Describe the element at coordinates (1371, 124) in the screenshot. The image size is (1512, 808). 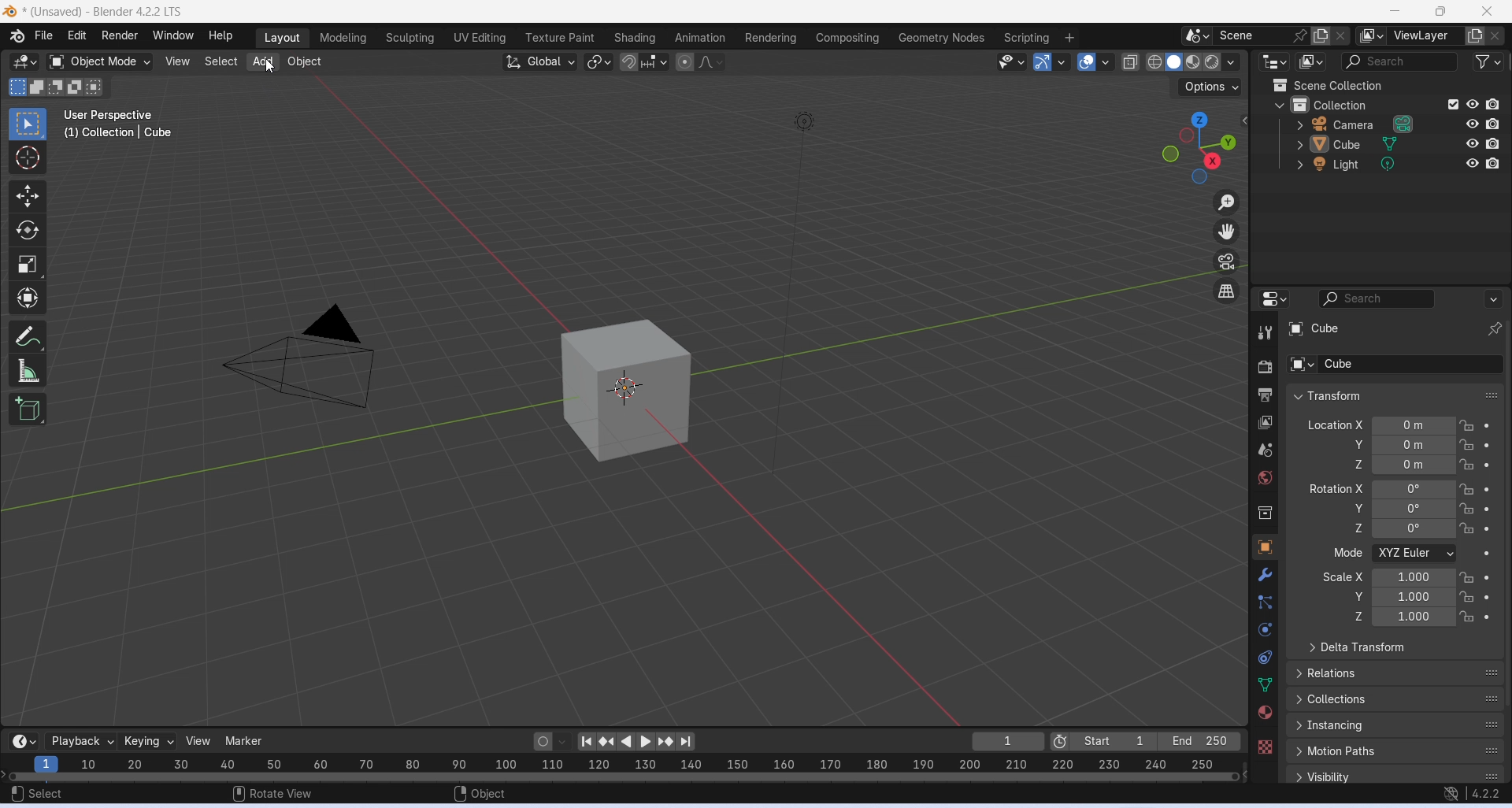
I see `camera layer` at that location.